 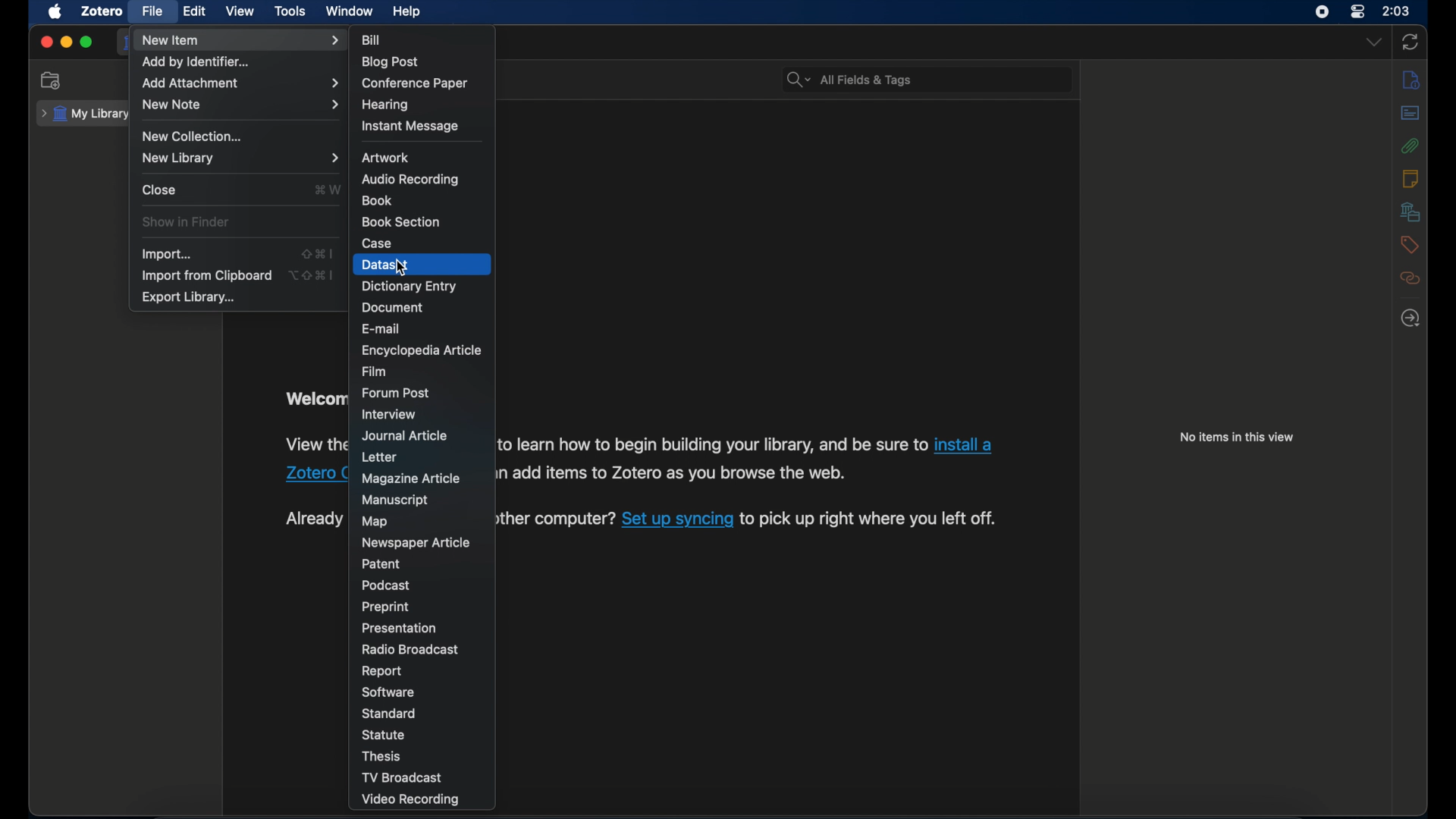 I want to click on forum post, so click(x=395, y=394).